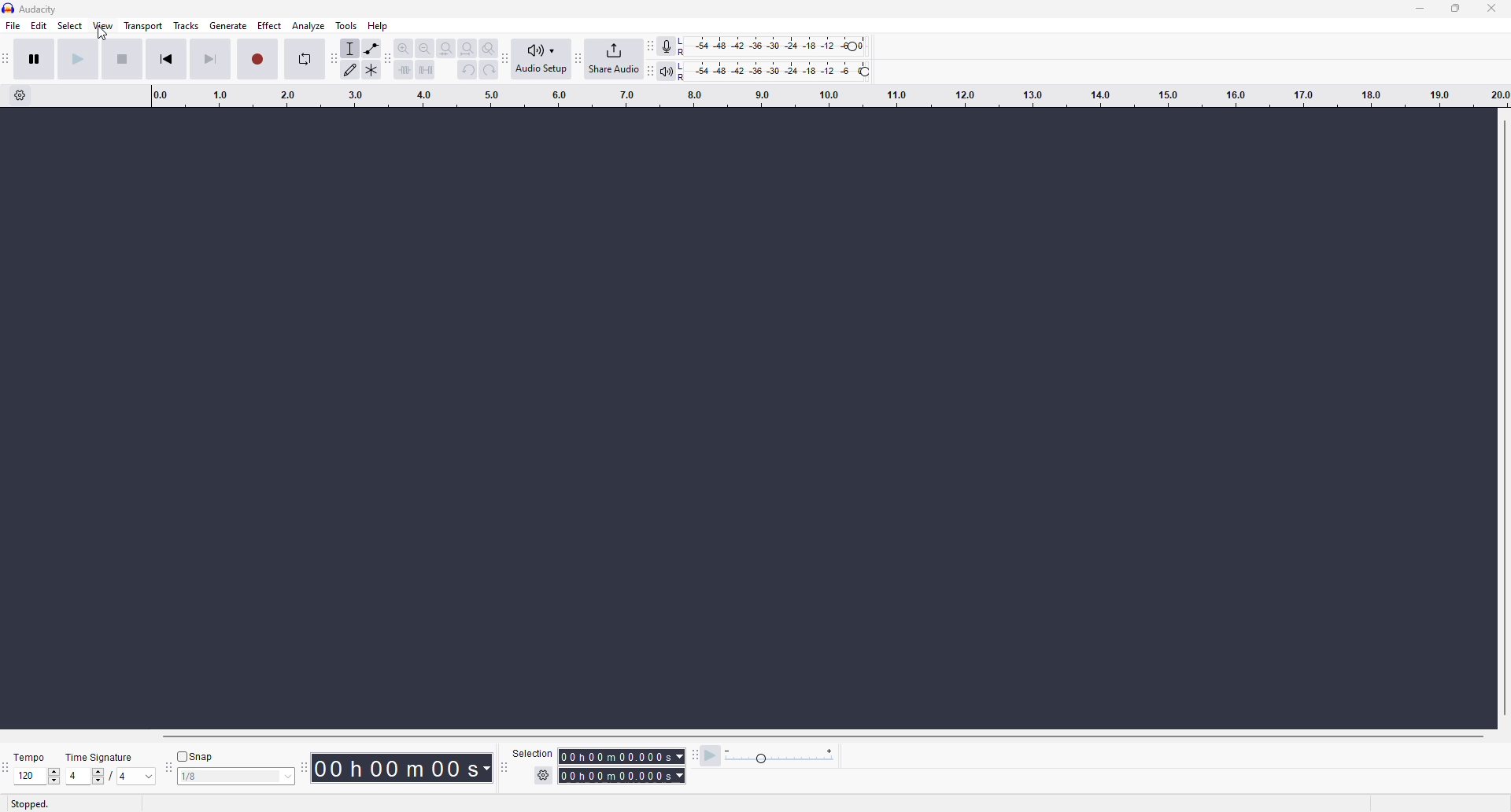 This screenshot has width=1511, height=812. Describe the element at coordinates (76, 775) in the screenshot. I see `4` at that location.